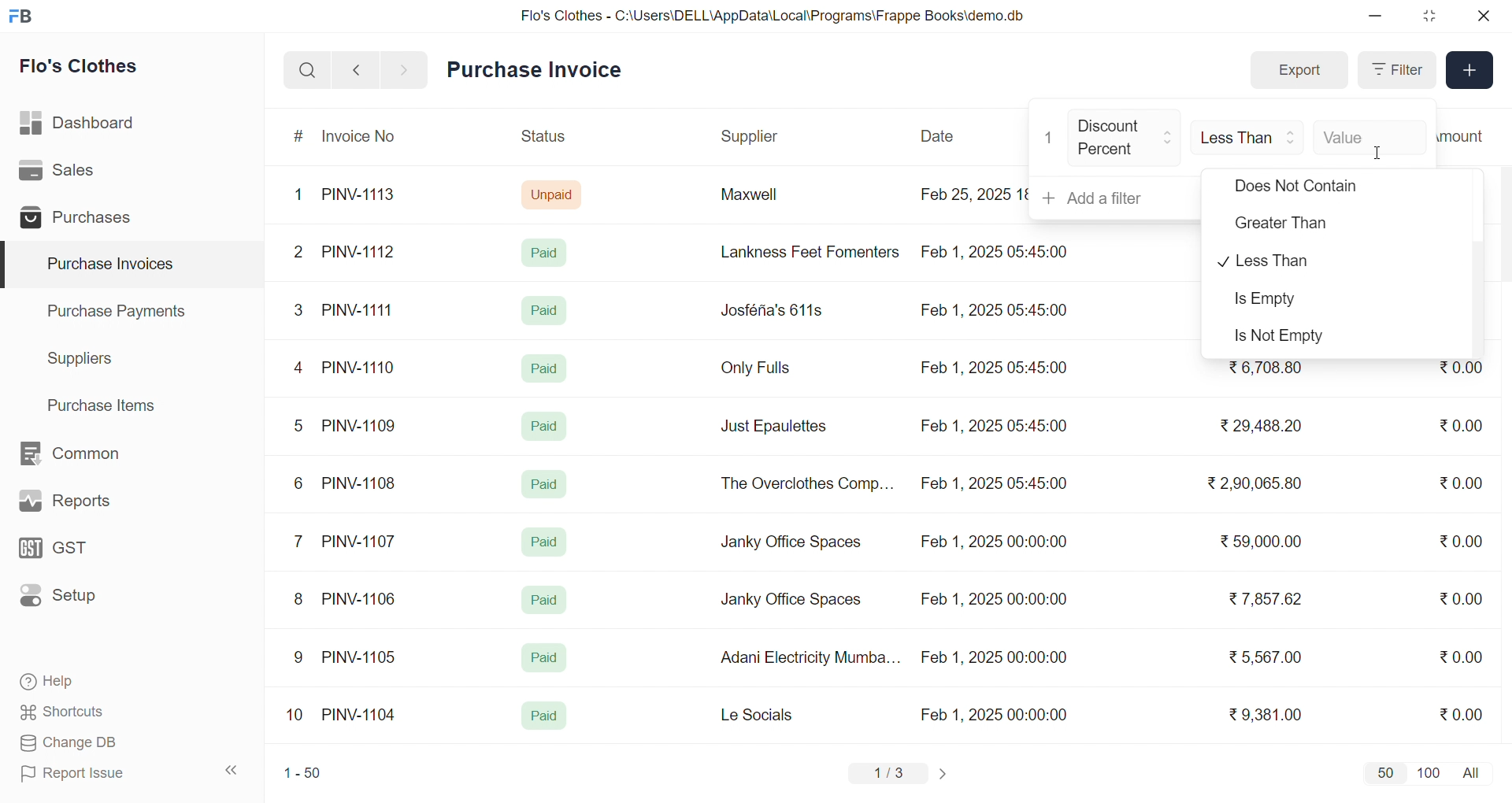 Image resolution: width=1512 pixels, height=803 pixels. Describe the element at coordinates (1299, 71) in the screenshot. I see `Export` at that location.